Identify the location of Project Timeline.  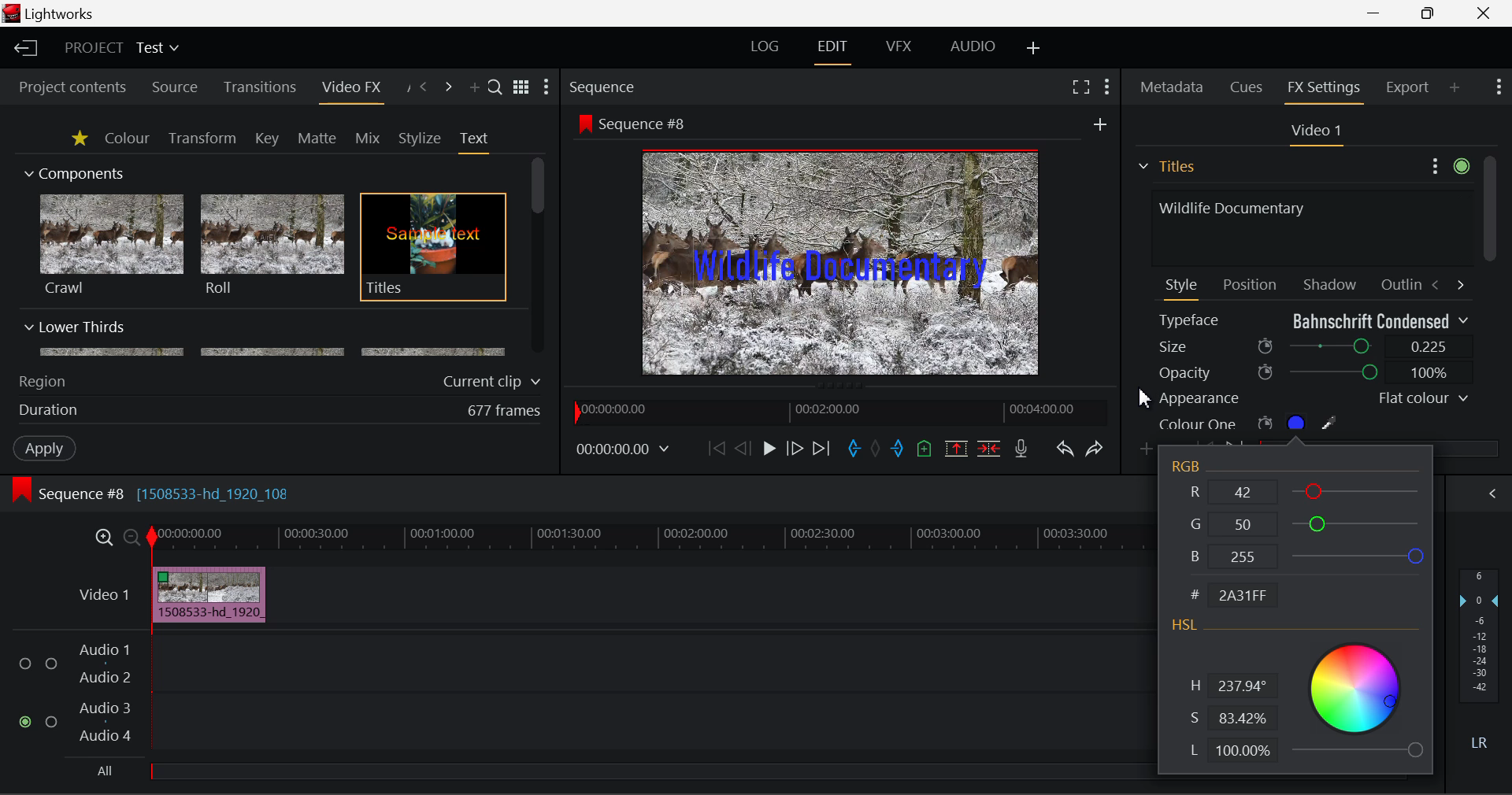
(649, 538).